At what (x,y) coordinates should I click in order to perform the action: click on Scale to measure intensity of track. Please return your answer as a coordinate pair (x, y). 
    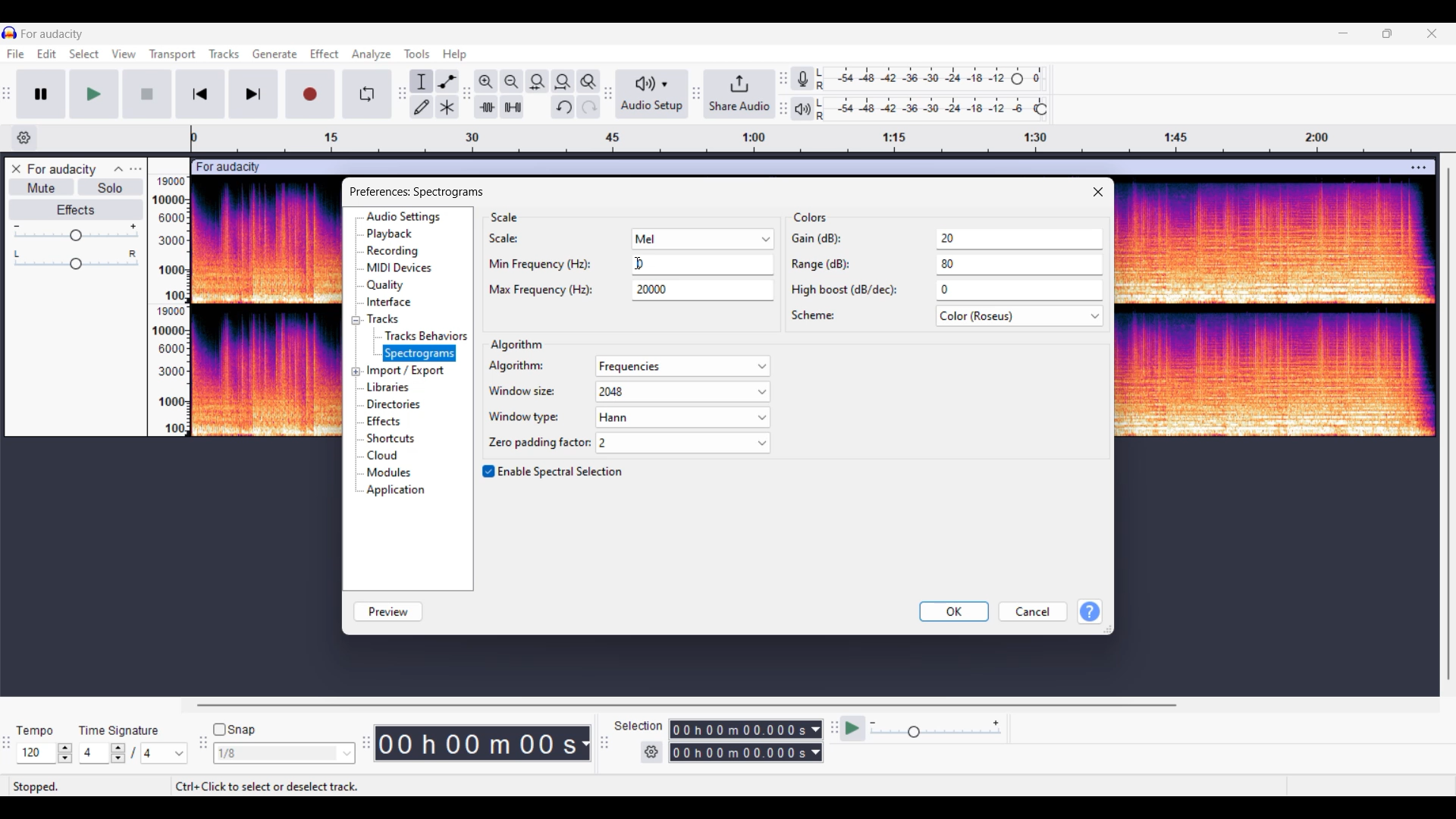
    Looking at the image, I should click on (168, 306).